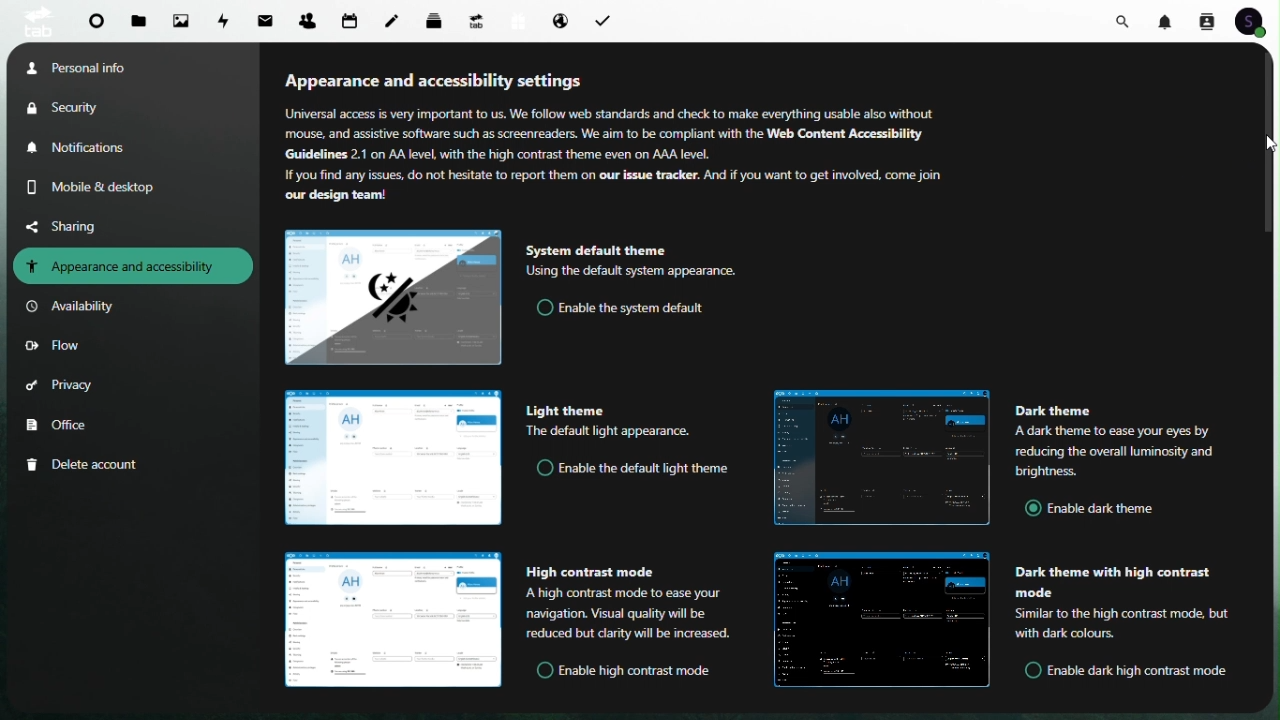  What do you see at coordinates (593, 572) in the screenshot?
I see `High contrast mode` at bounding box center [593, 572].